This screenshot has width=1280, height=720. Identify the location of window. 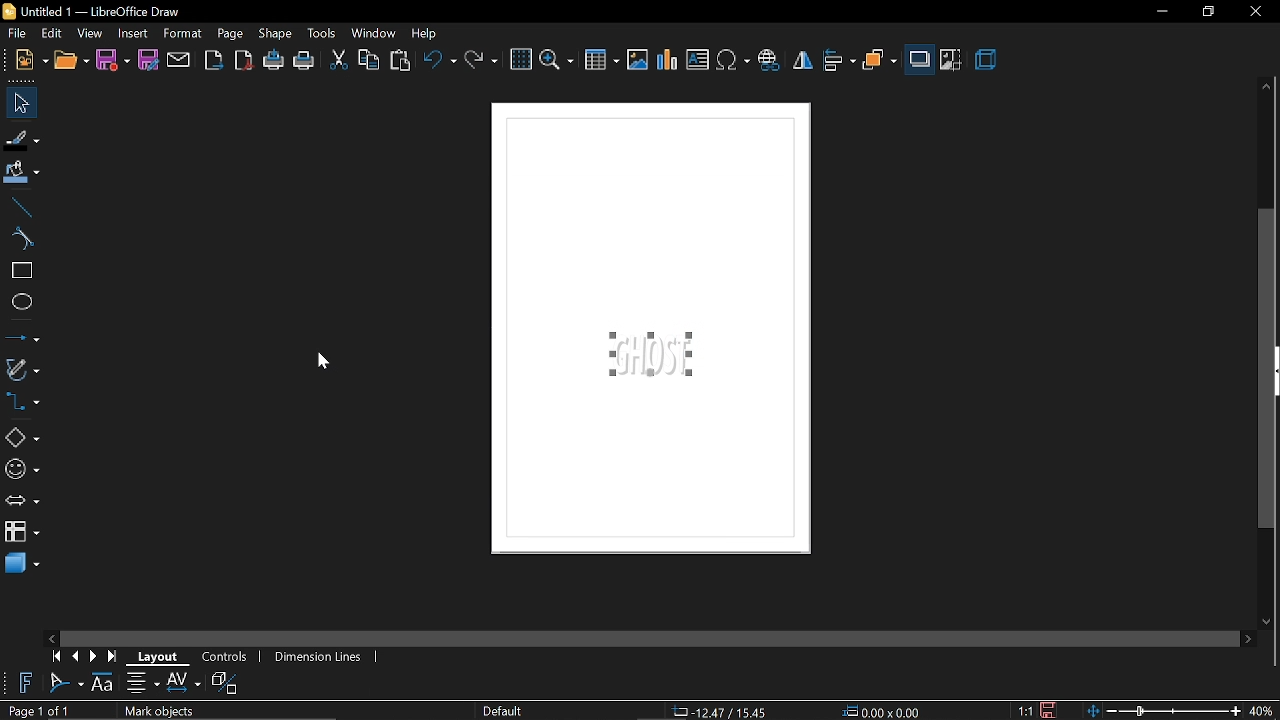
(375, 33).